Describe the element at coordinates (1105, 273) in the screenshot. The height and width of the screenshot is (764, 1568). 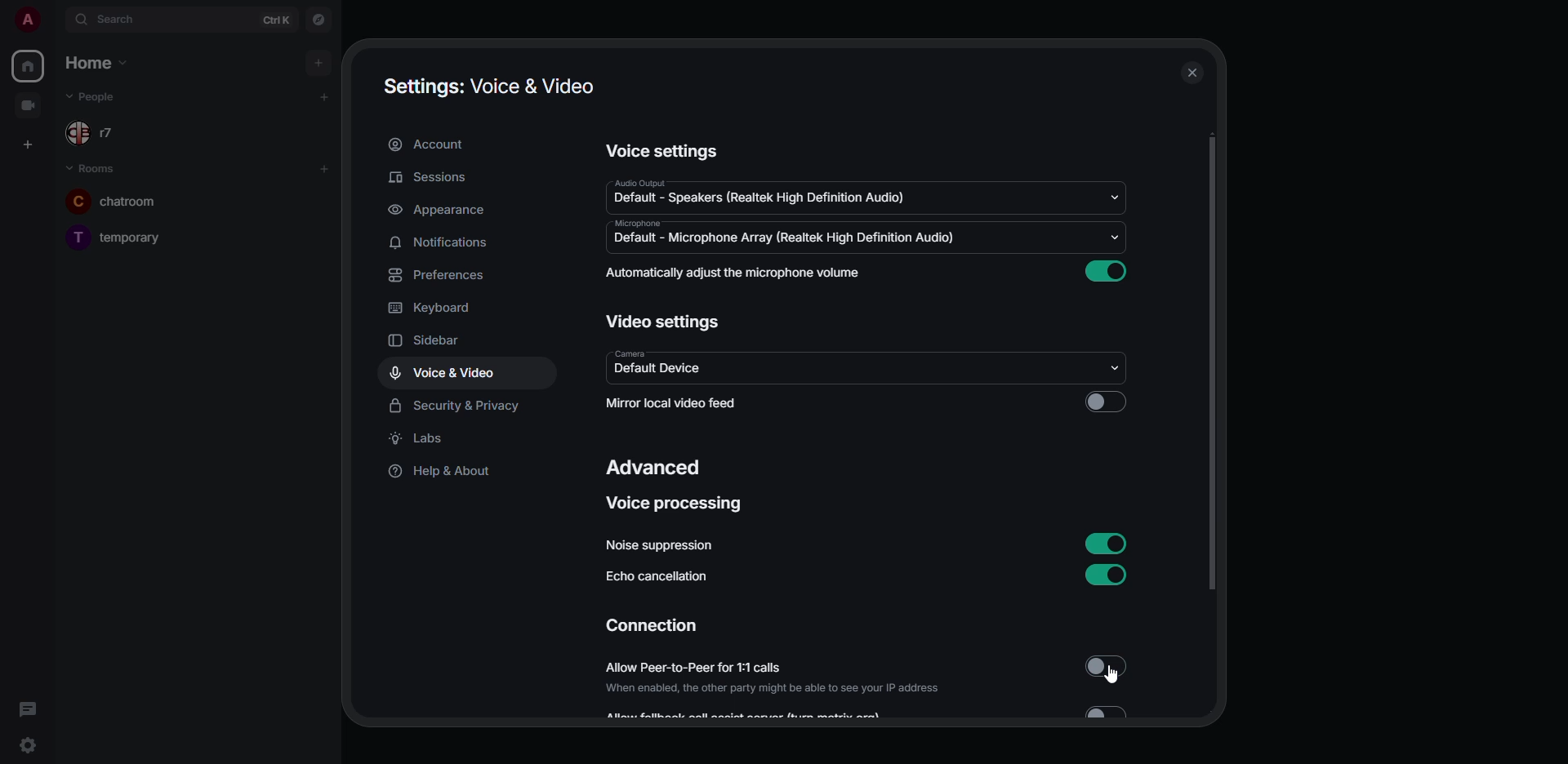
I see `enabled` at that location.